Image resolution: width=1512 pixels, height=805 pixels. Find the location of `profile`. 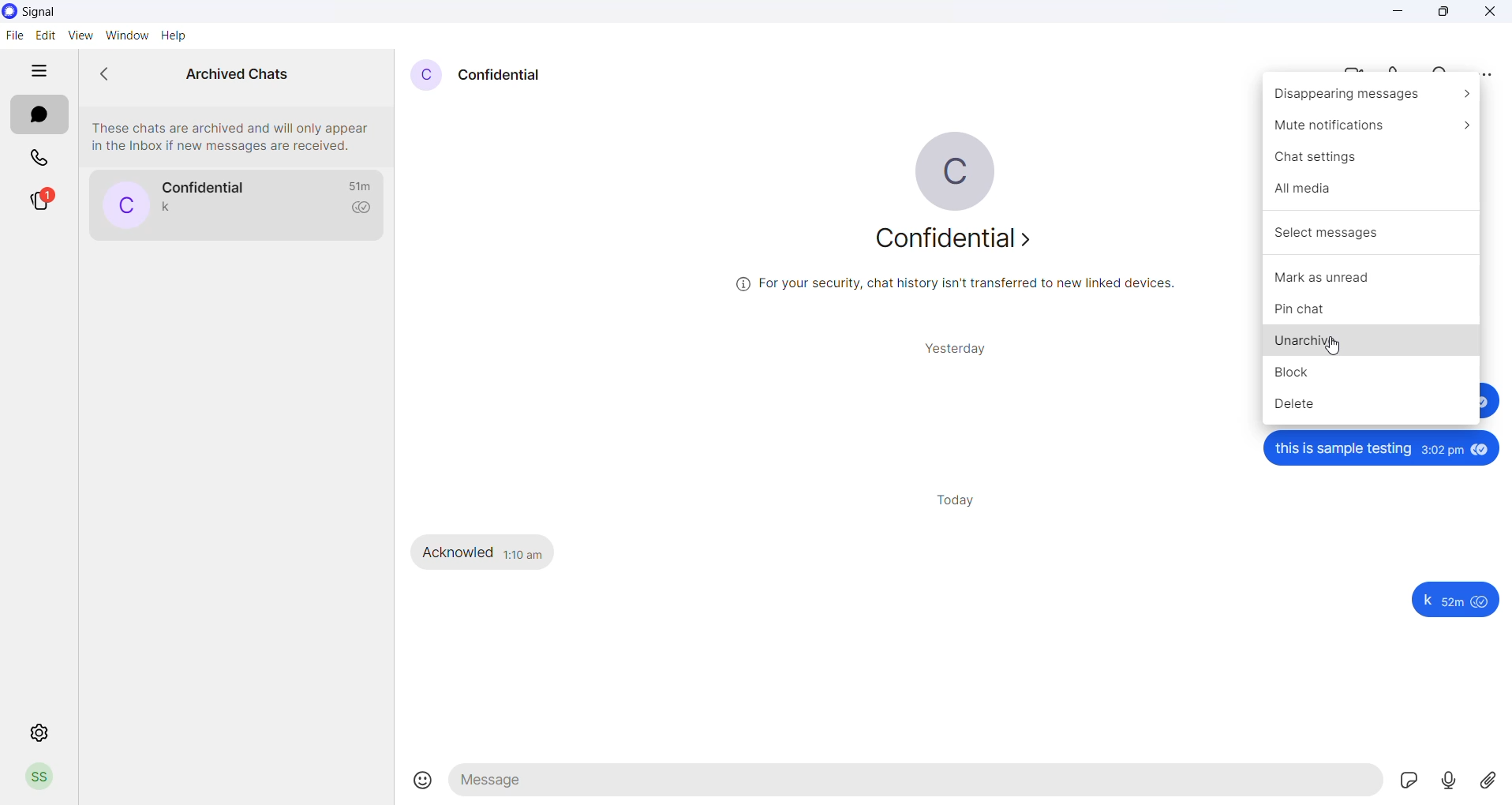

profile is located at coordinates (43, 775).